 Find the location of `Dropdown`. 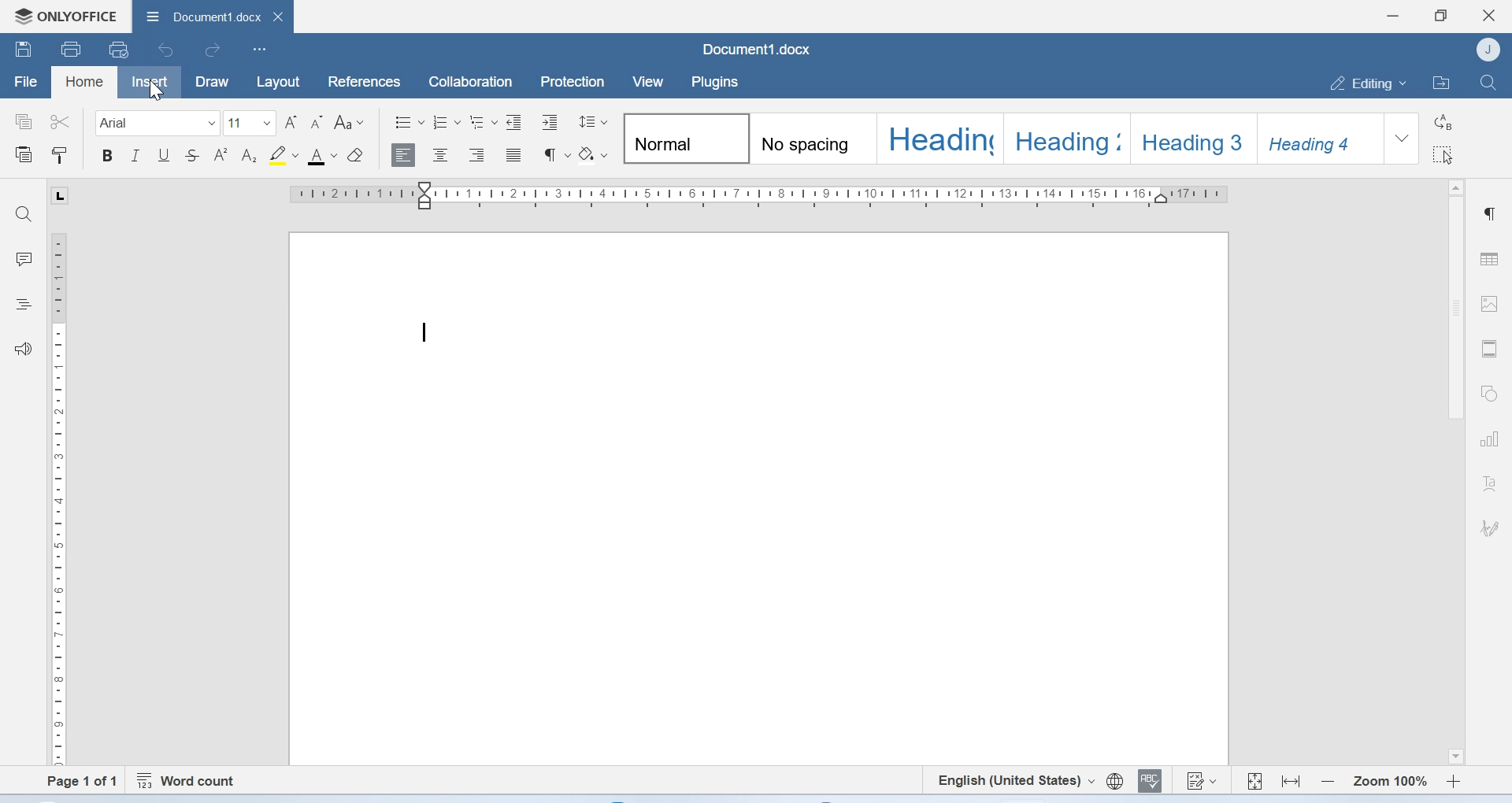

Dropdown is located at coordinates (1403, 138).